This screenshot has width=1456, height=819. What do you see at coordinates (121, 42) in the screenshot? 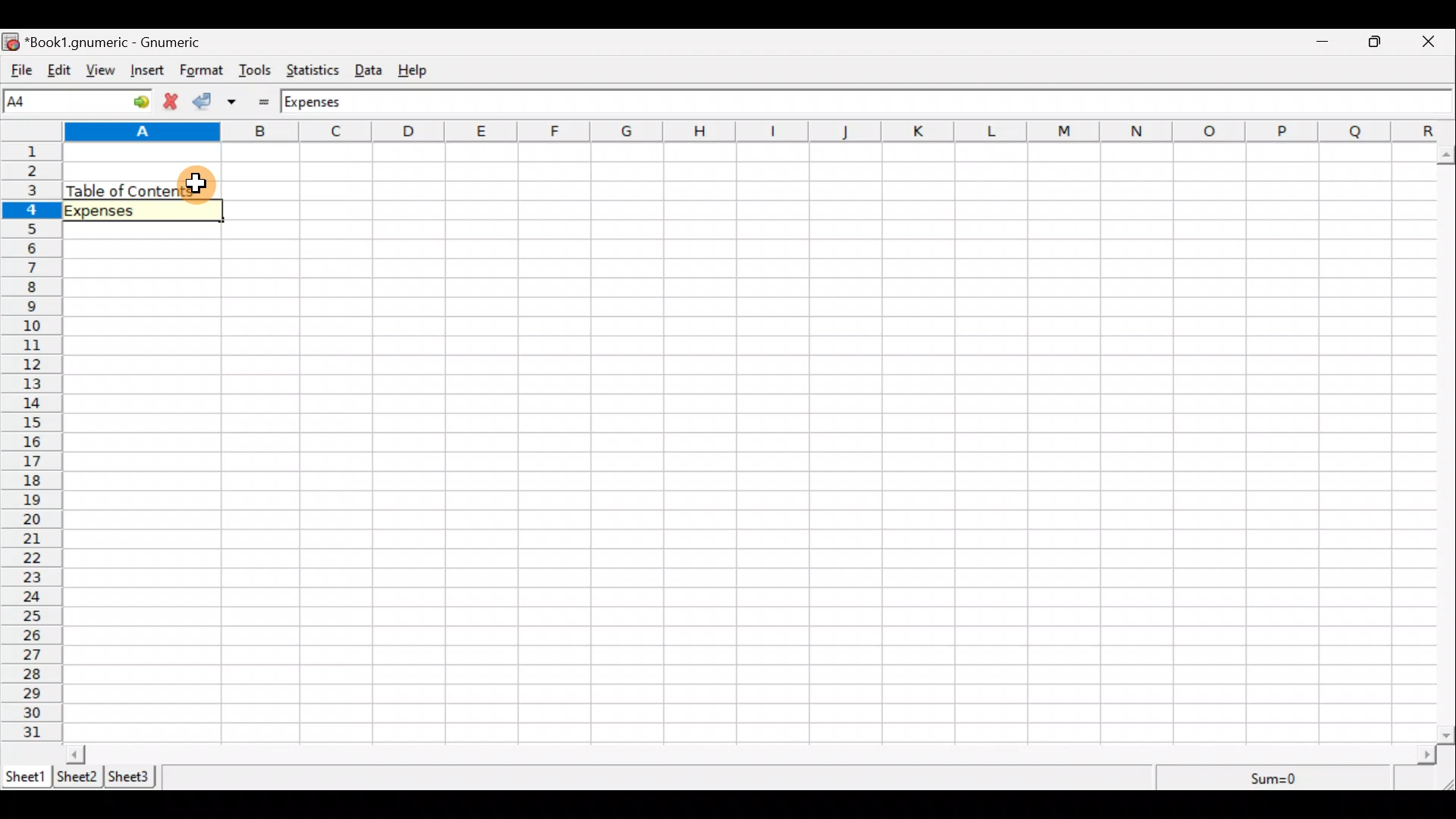
I see `“Book1.gnumeric - Gnumeric` at bounding box center [121, 42].